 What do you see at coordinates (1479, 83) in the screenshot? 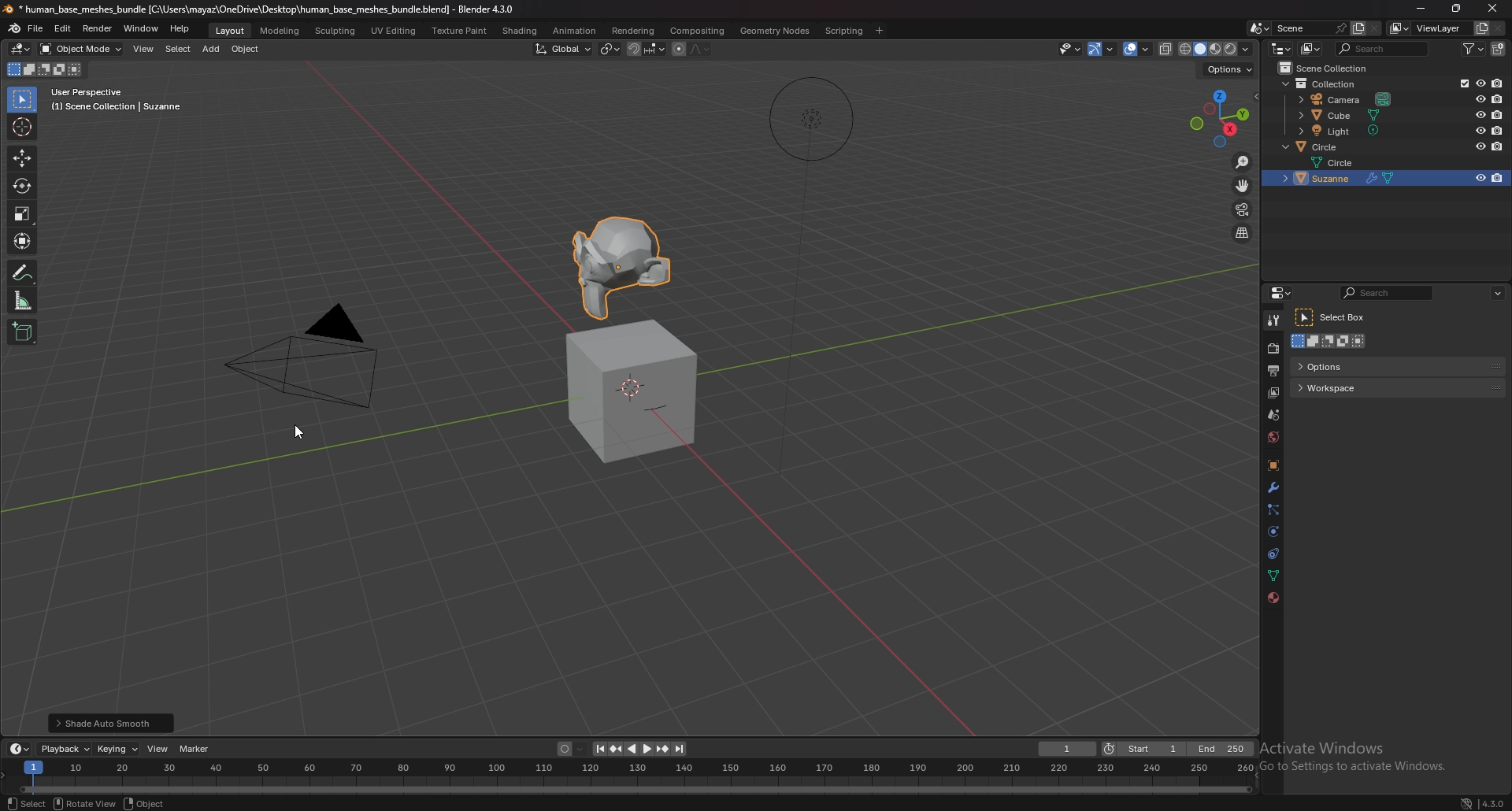
I see `hide in viewport` at bounding box center [1479, 83].